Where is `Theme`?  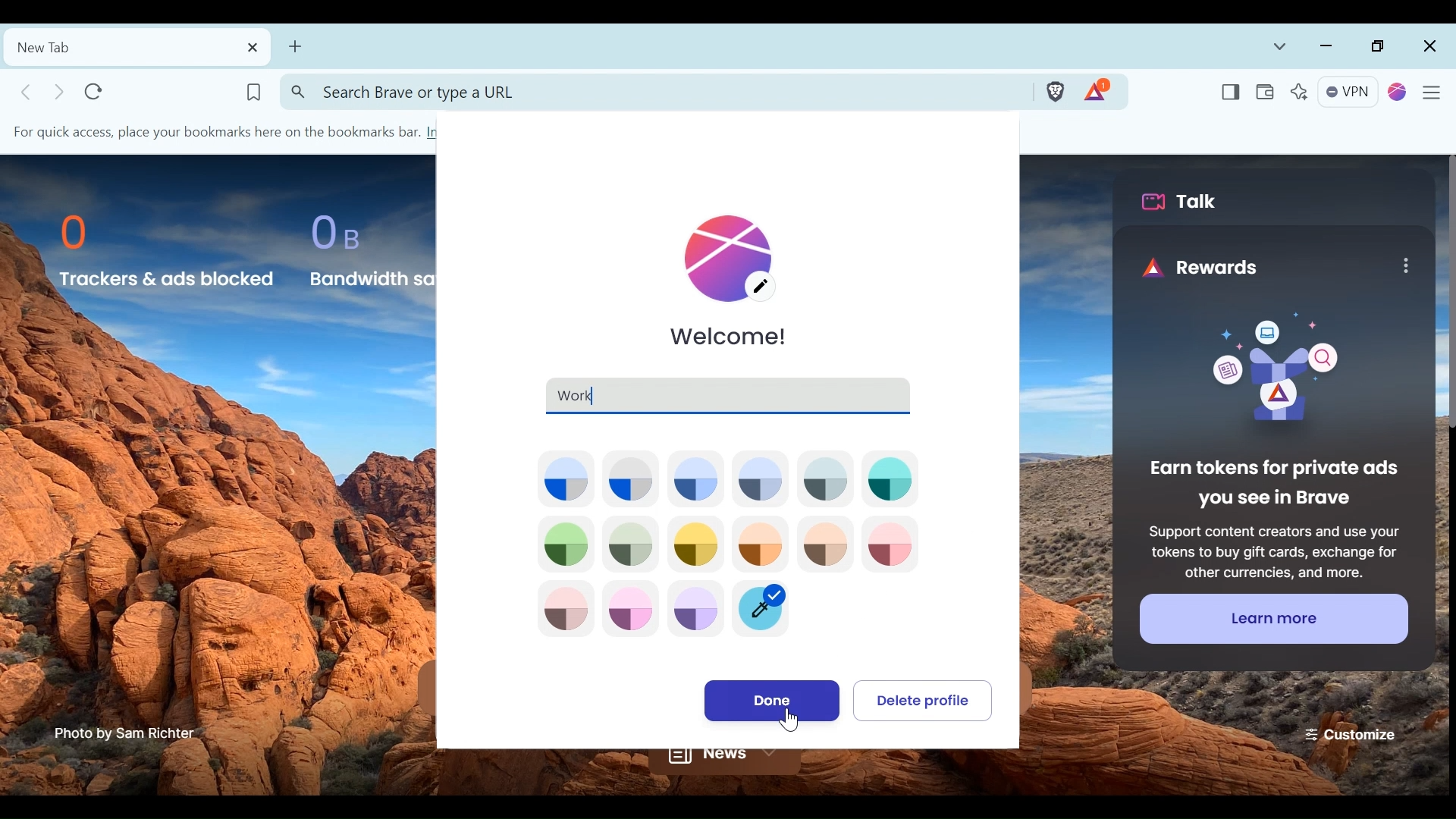
Theme is located at coordinates (824, 545).